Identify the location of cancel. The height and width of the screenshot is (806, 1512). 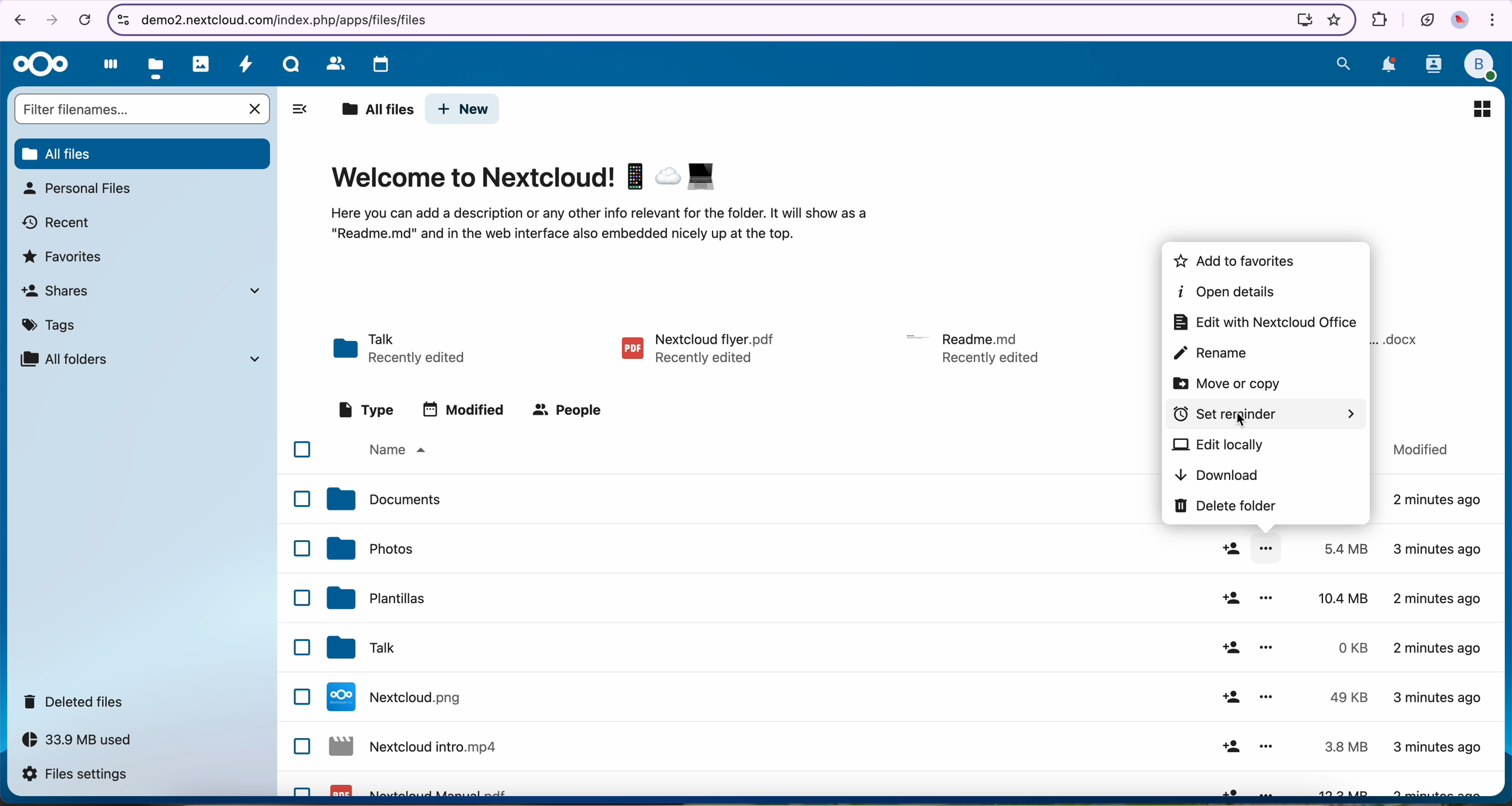
(84, 21).